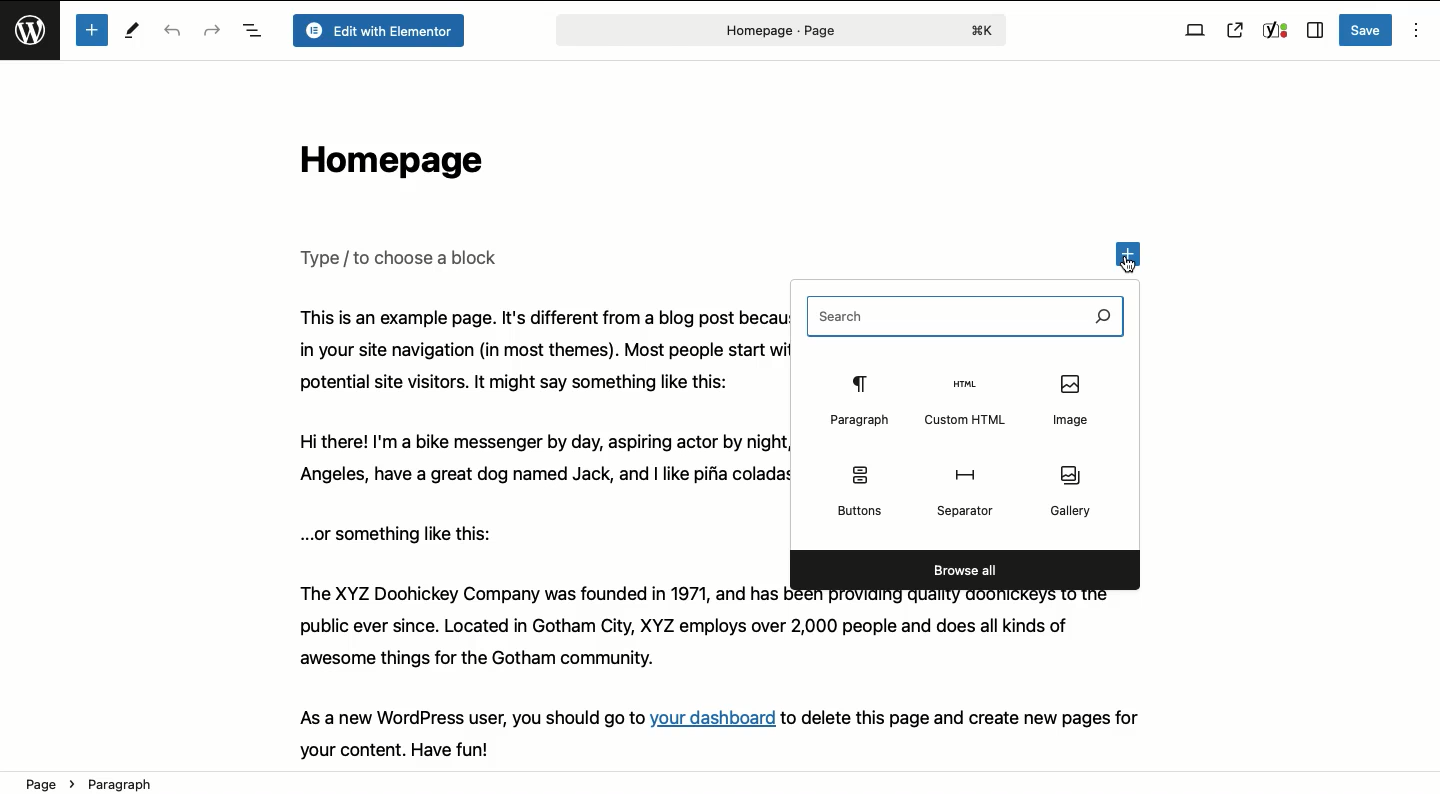 The image size is (1440, 794). Describe the element at coordinates (1235, 30) in the screenshot. I see `View page` at that location.